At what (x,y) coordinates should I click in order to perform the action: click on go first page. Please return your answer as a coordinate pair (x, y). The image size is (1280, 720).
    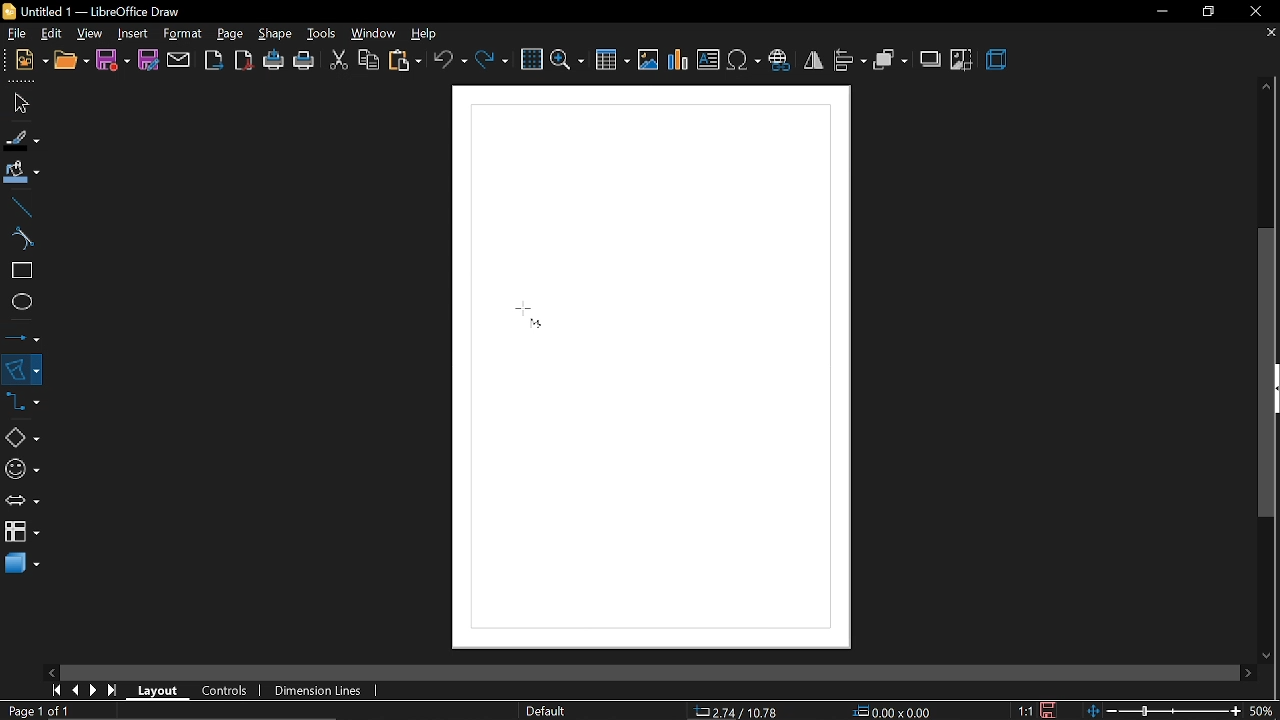
    Looking at the image, I should click on (56, 690).